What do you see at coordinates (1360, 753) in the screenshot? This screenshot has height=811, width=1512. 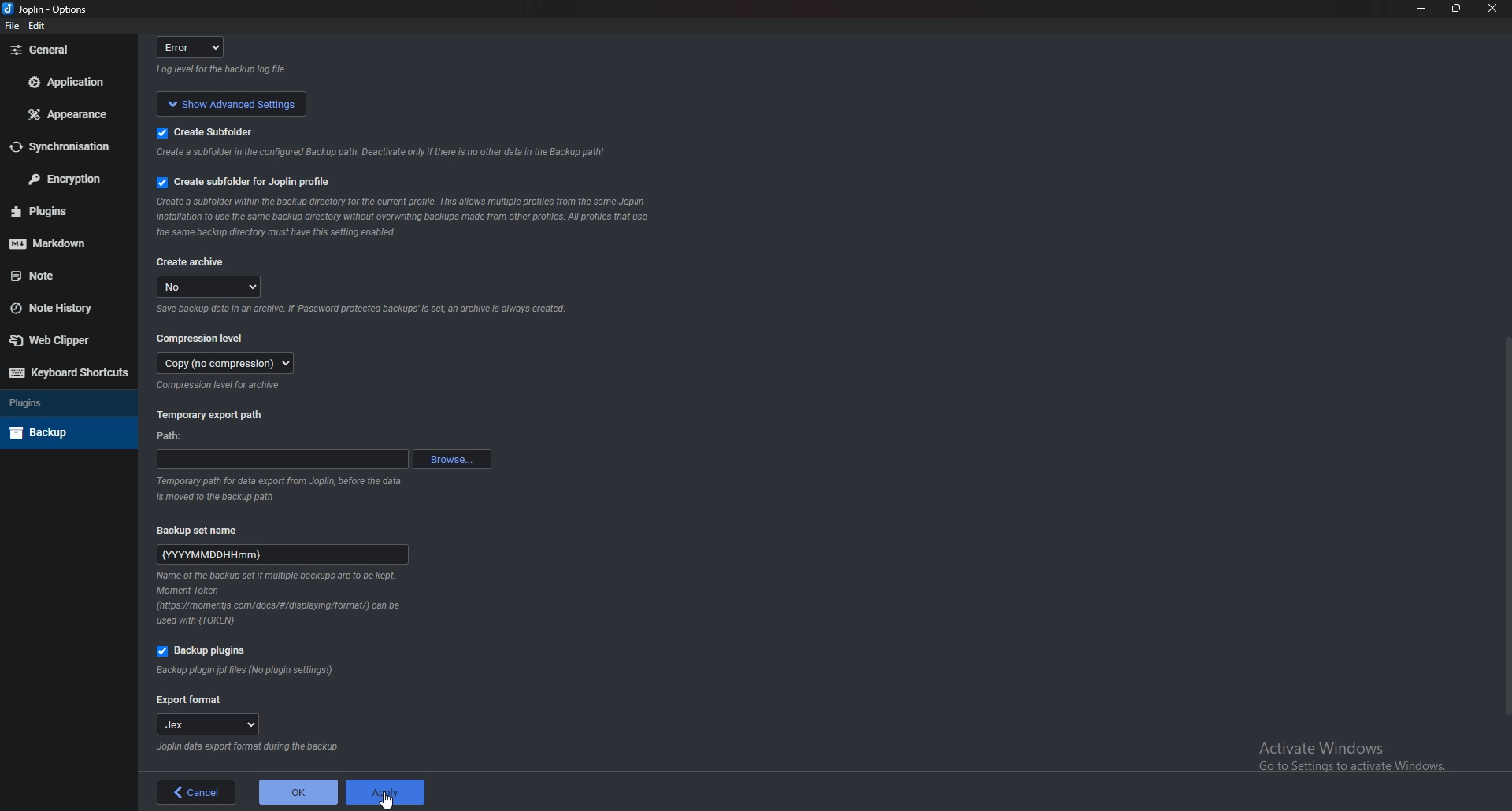 I see `activate windows` at bounding box center [1360, 753].